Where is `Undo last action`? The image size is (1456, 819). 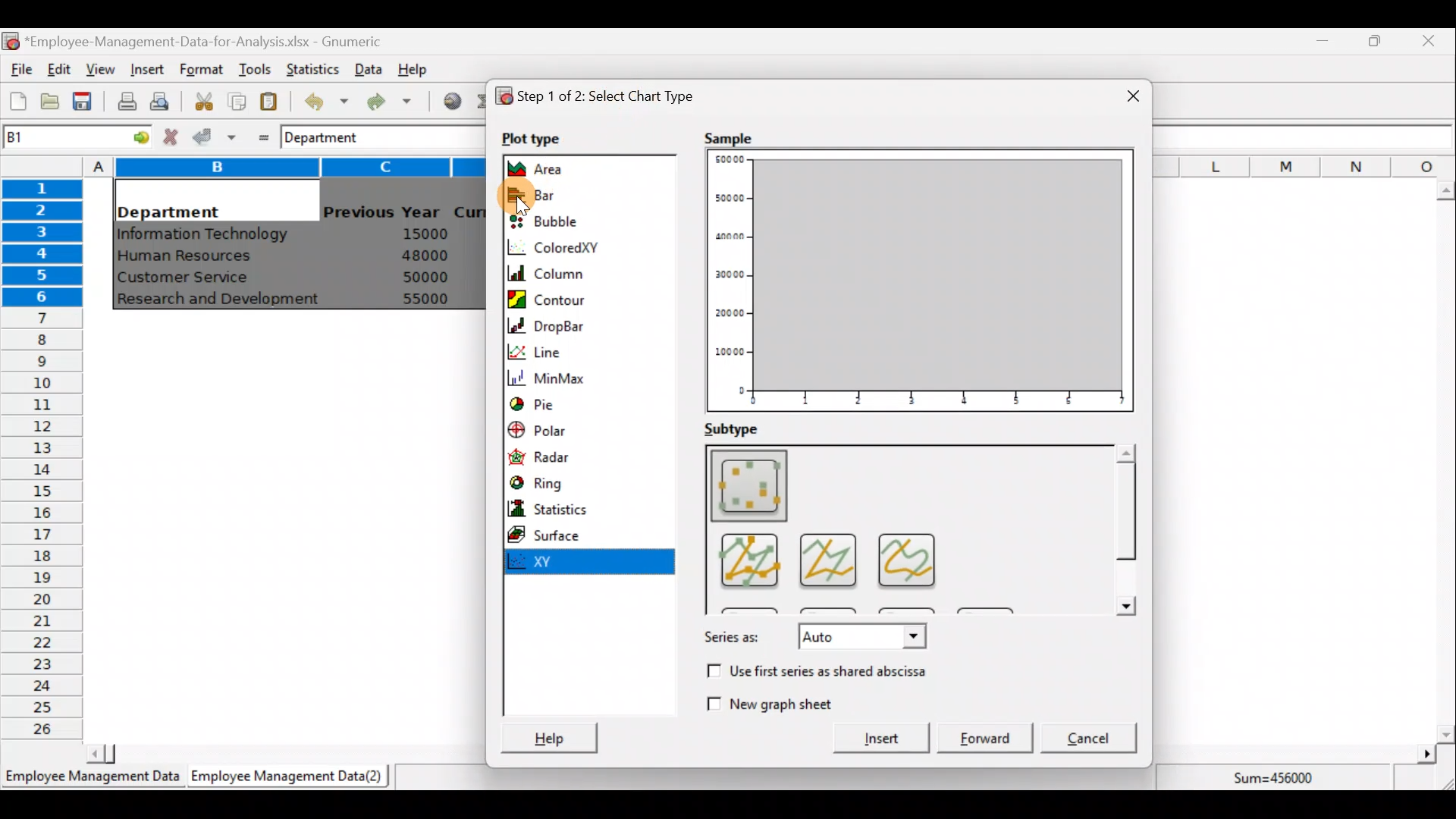 Undo last action is located at coordinates (318, 98).